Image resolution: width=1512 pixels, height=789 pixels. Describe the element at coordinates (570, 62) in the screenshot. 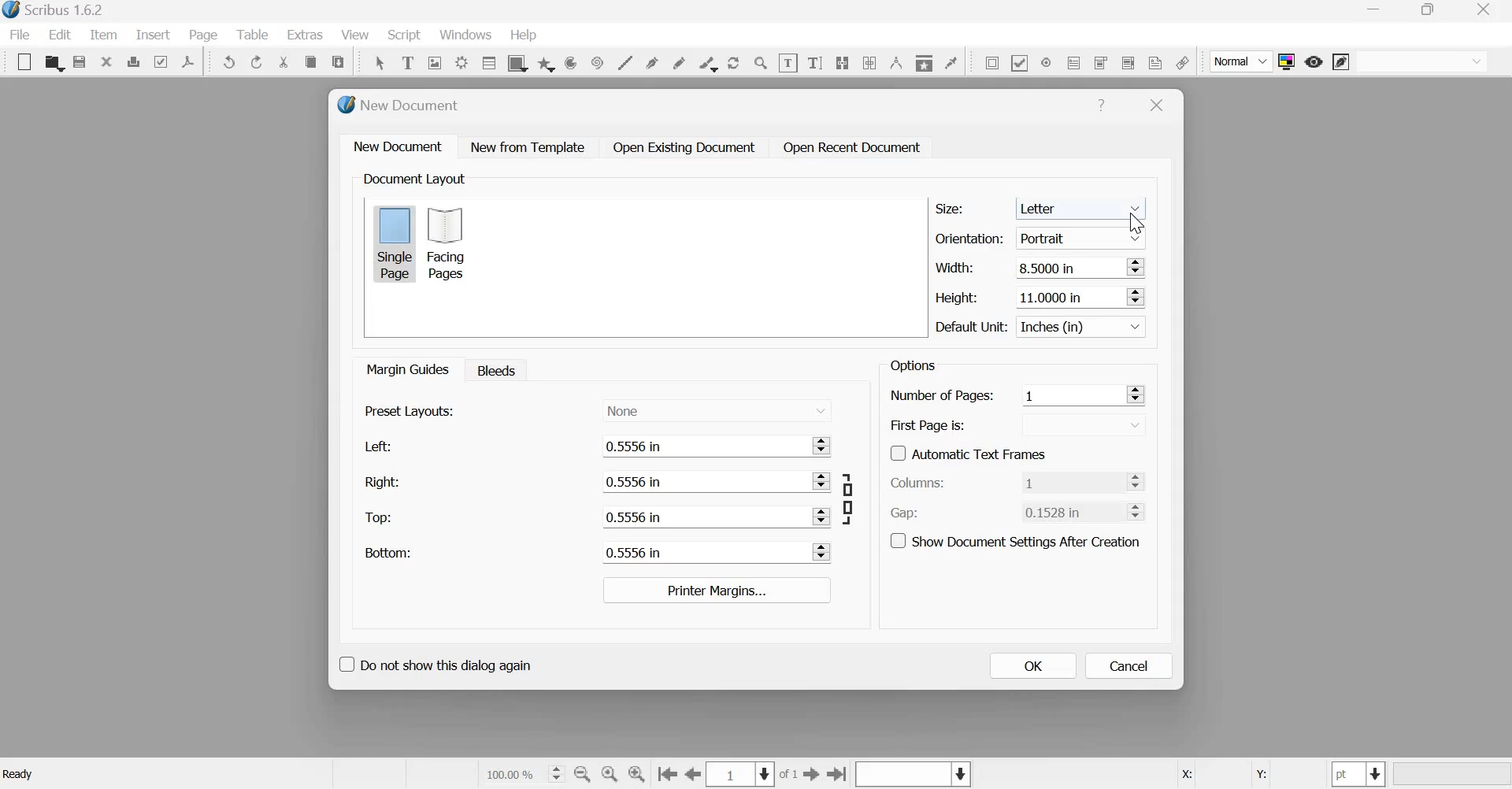

I see `arc` at that location.